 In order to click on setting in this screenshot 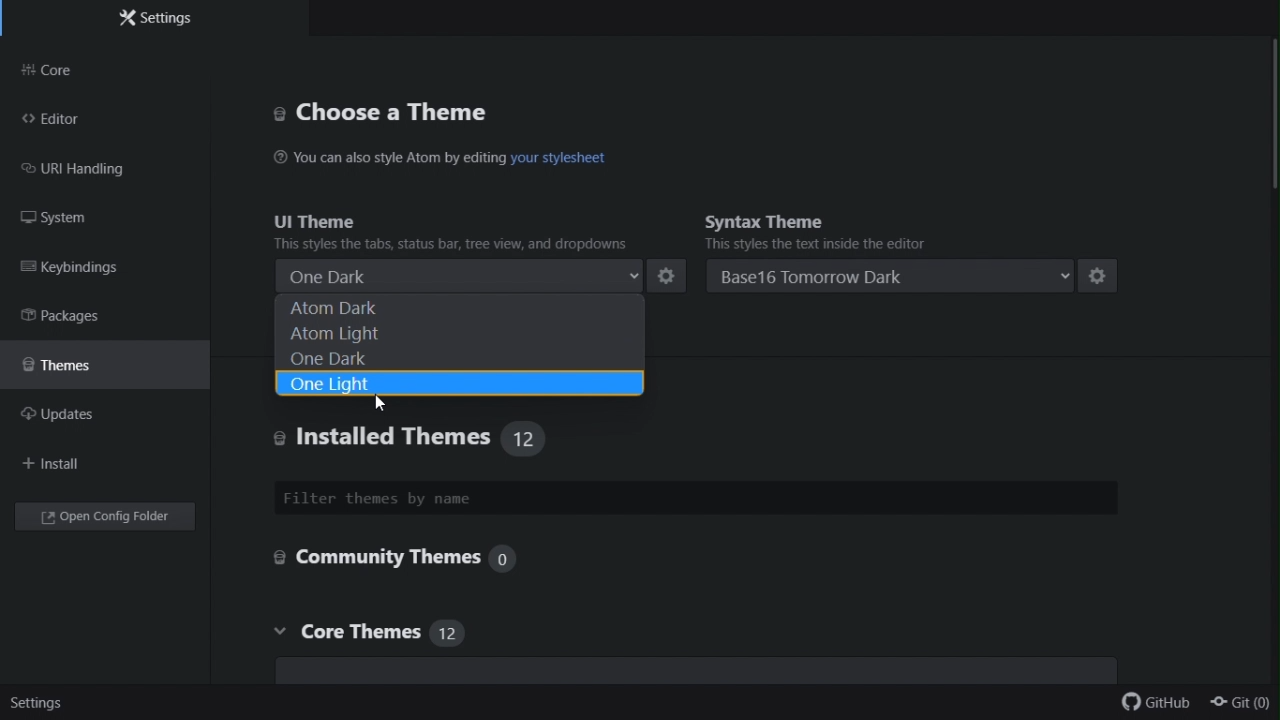, I will do `click(1100, 277)`.